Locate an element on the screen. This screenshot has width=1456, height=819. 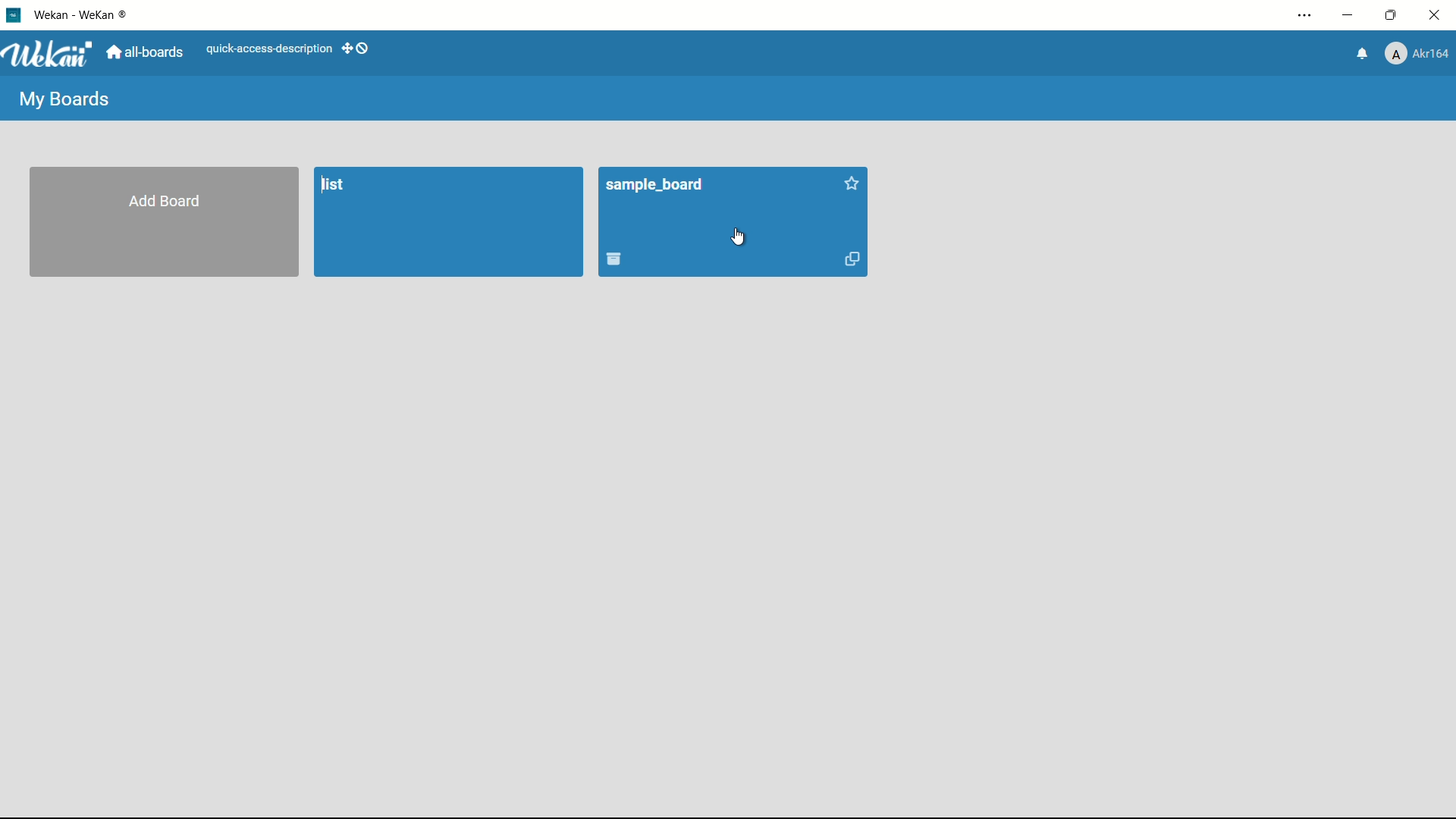
settings and more is located at coordinates (1304, 14).